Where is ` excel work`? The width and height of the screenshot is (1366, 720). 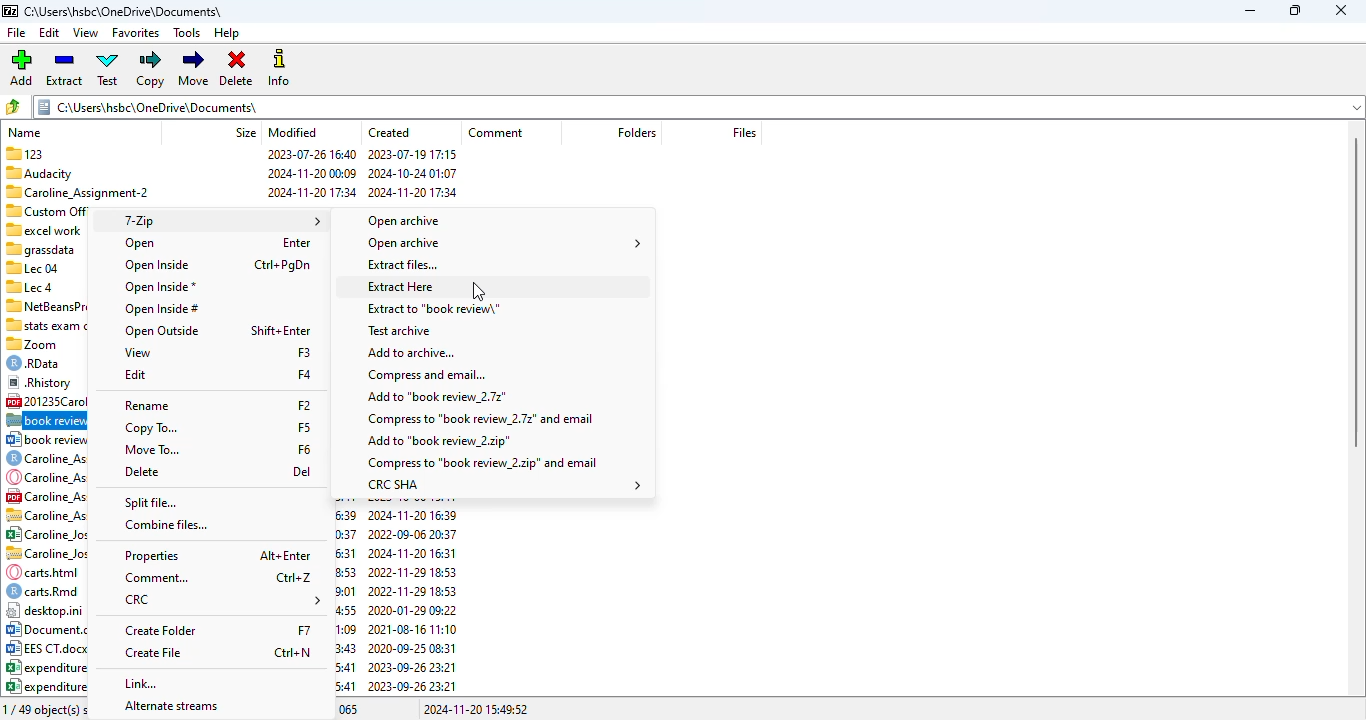
 excel work is located at coordinates (45, 228).